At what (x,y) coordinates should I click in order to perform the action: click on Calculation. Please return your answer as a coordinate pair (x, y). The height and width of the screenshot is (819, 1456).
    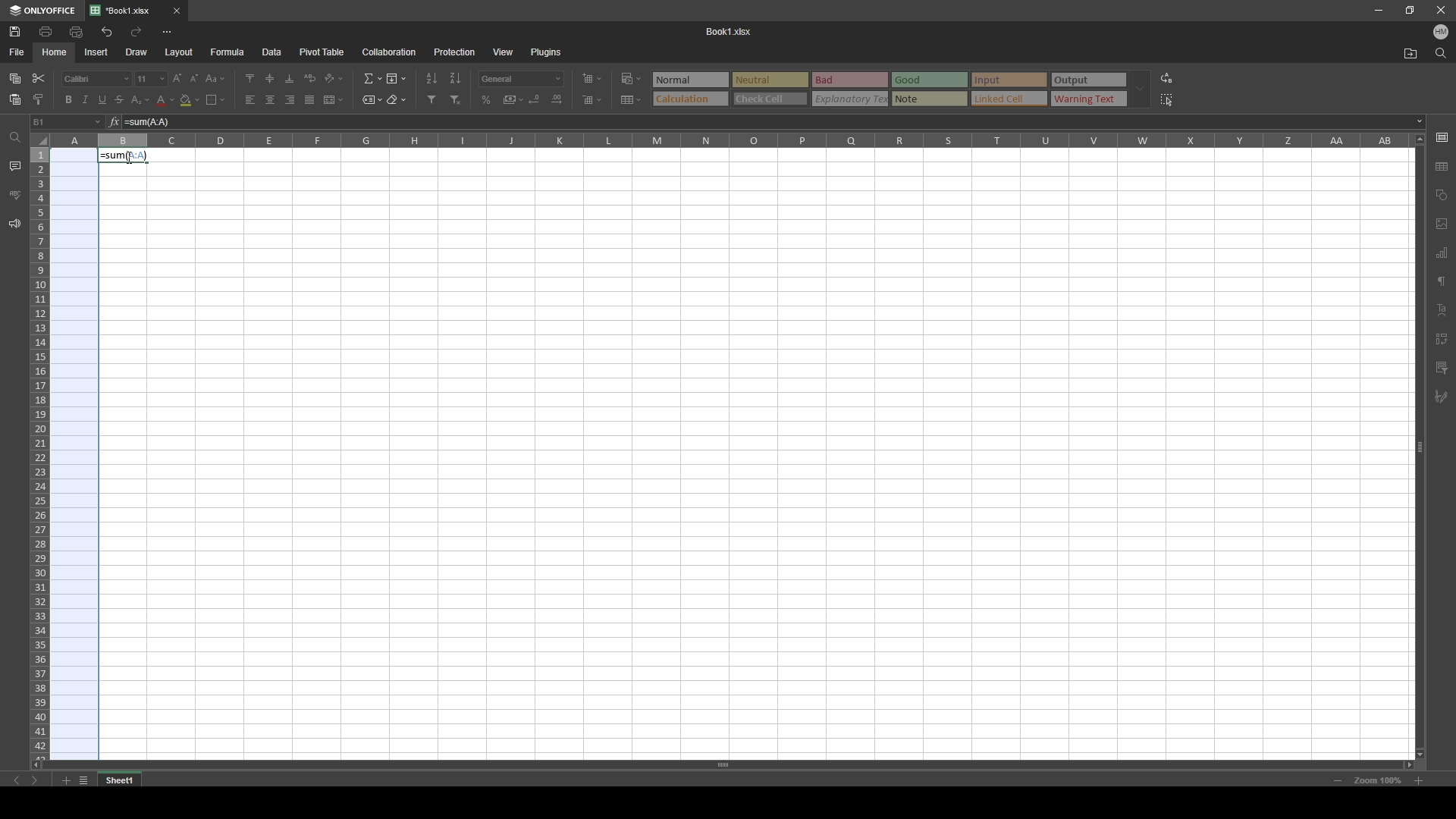
    Looking at the image, I should click on (690, 98).